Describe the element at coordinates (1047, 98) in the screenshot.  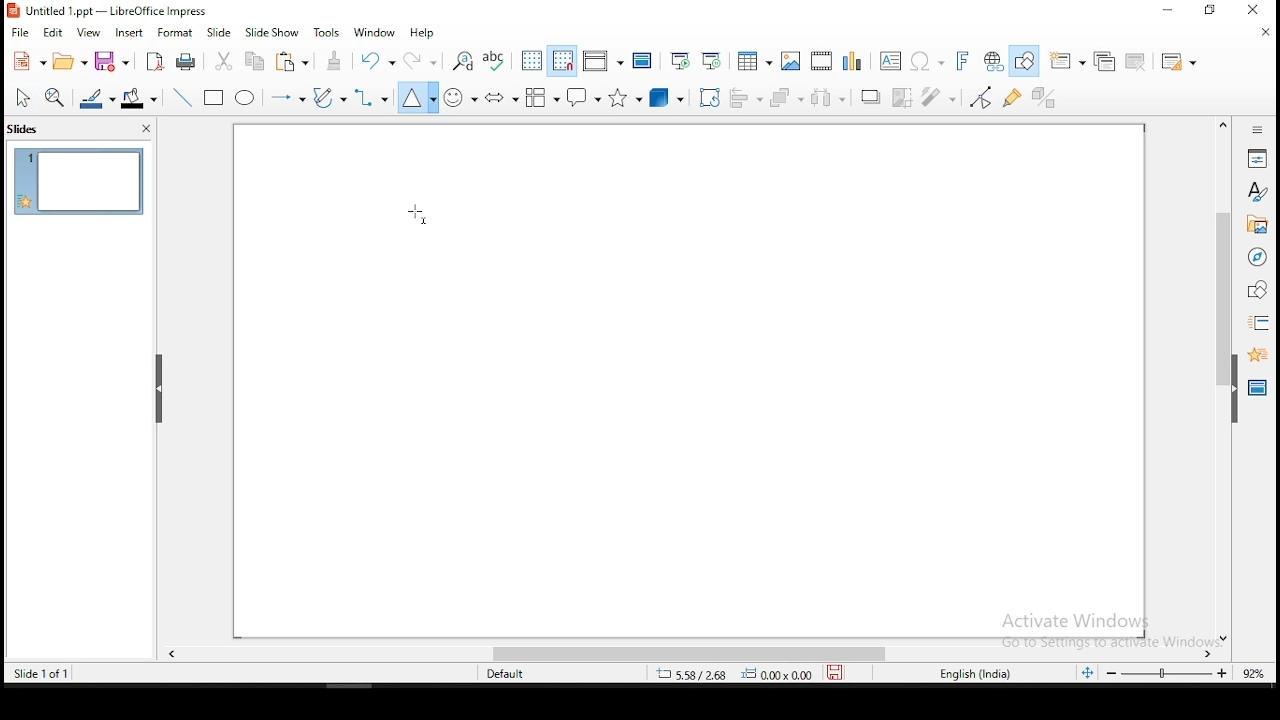
I see `toggle extrusiuon` at that location.